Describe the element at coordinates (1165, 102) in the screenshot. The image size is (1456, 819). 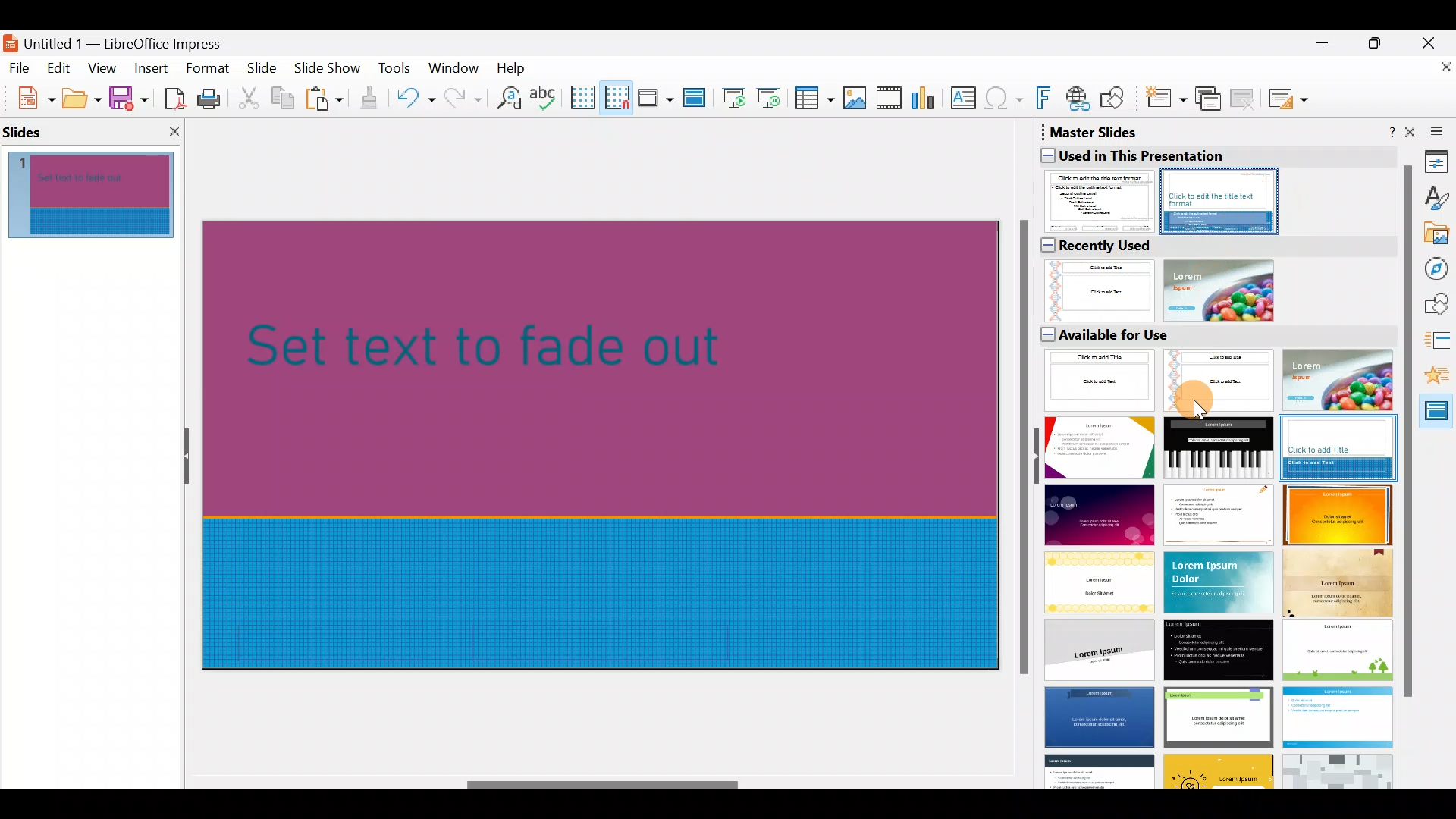
I see `New slide` at that location.